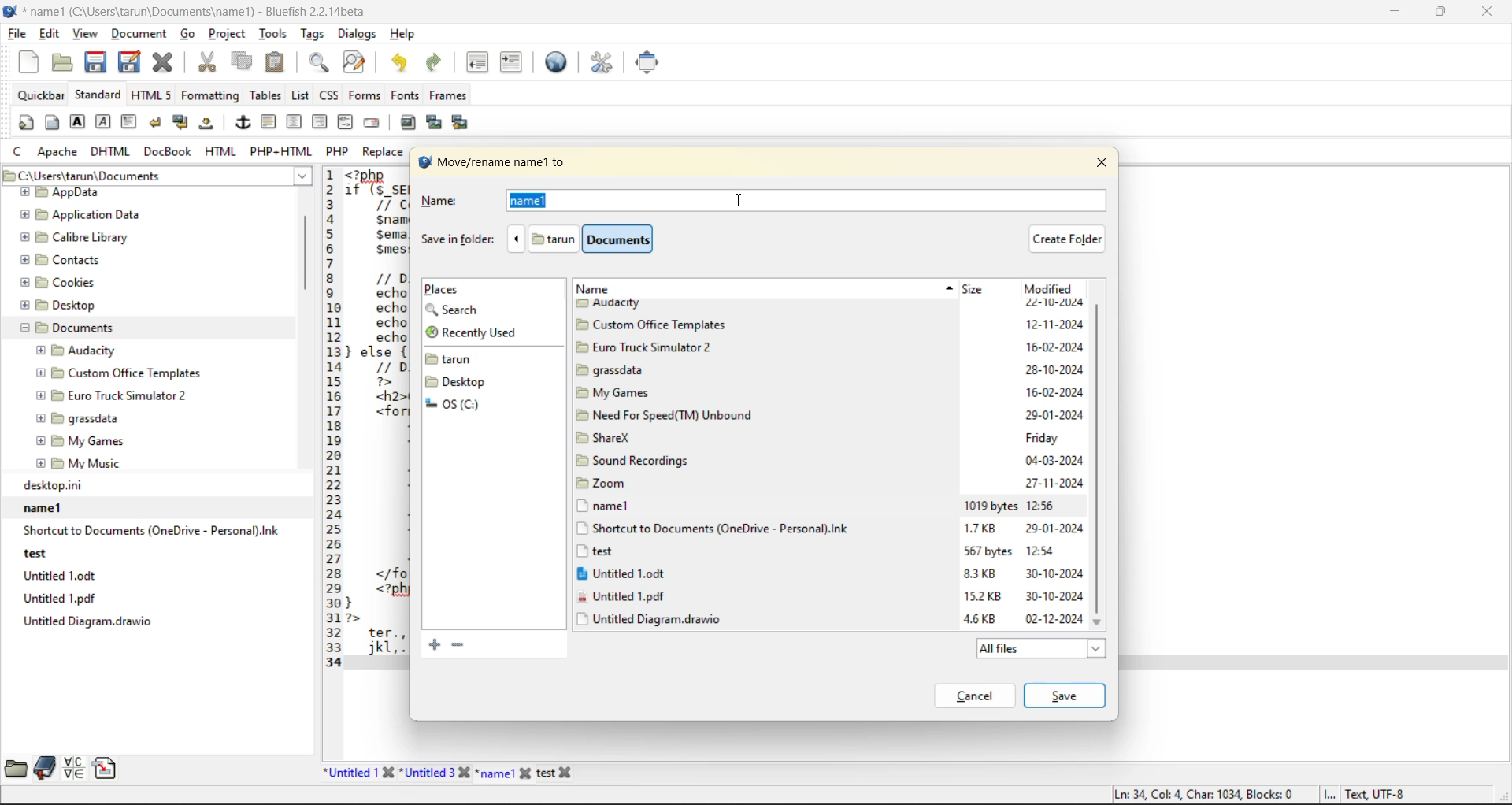  Describe the element at coordinates (131, 121) in the screenshot. I see `paragraph` at that location.